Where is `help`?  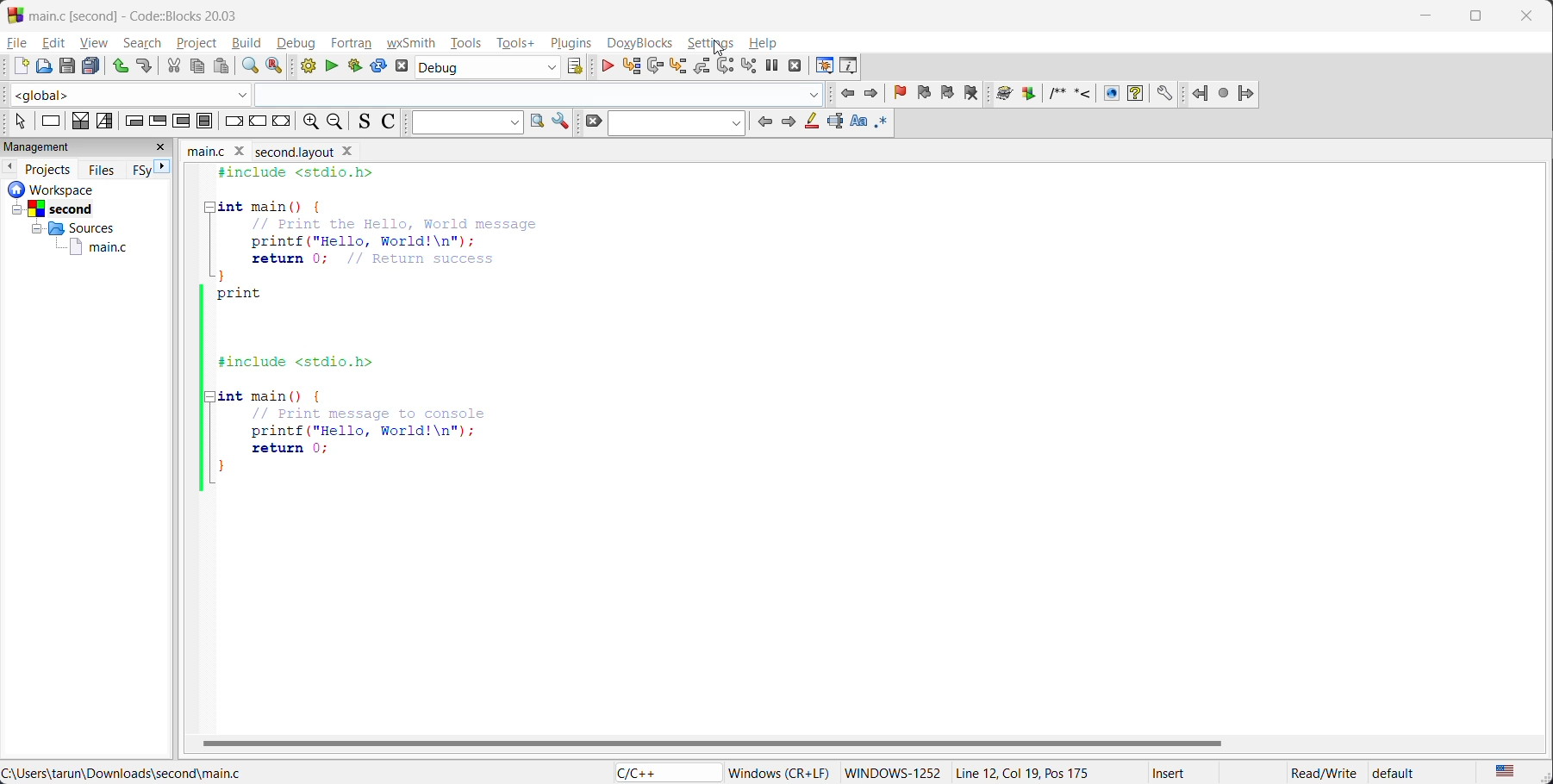 help is located at coordinates (766, 45).